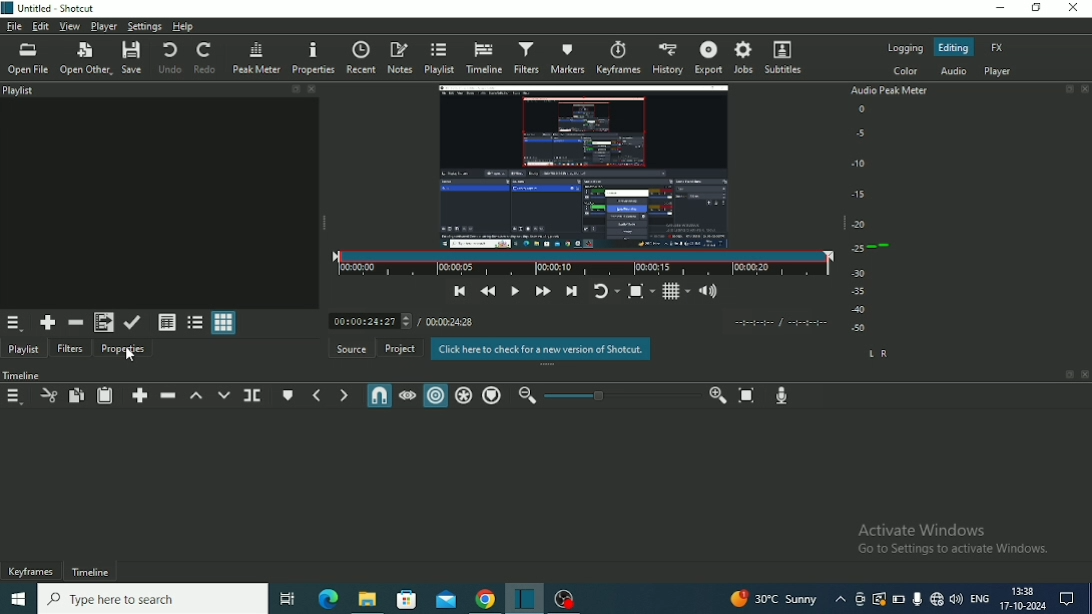 Image resolution: width=1092 pixels, height=614 pixels. I want to click on Update, so click(133, 323).